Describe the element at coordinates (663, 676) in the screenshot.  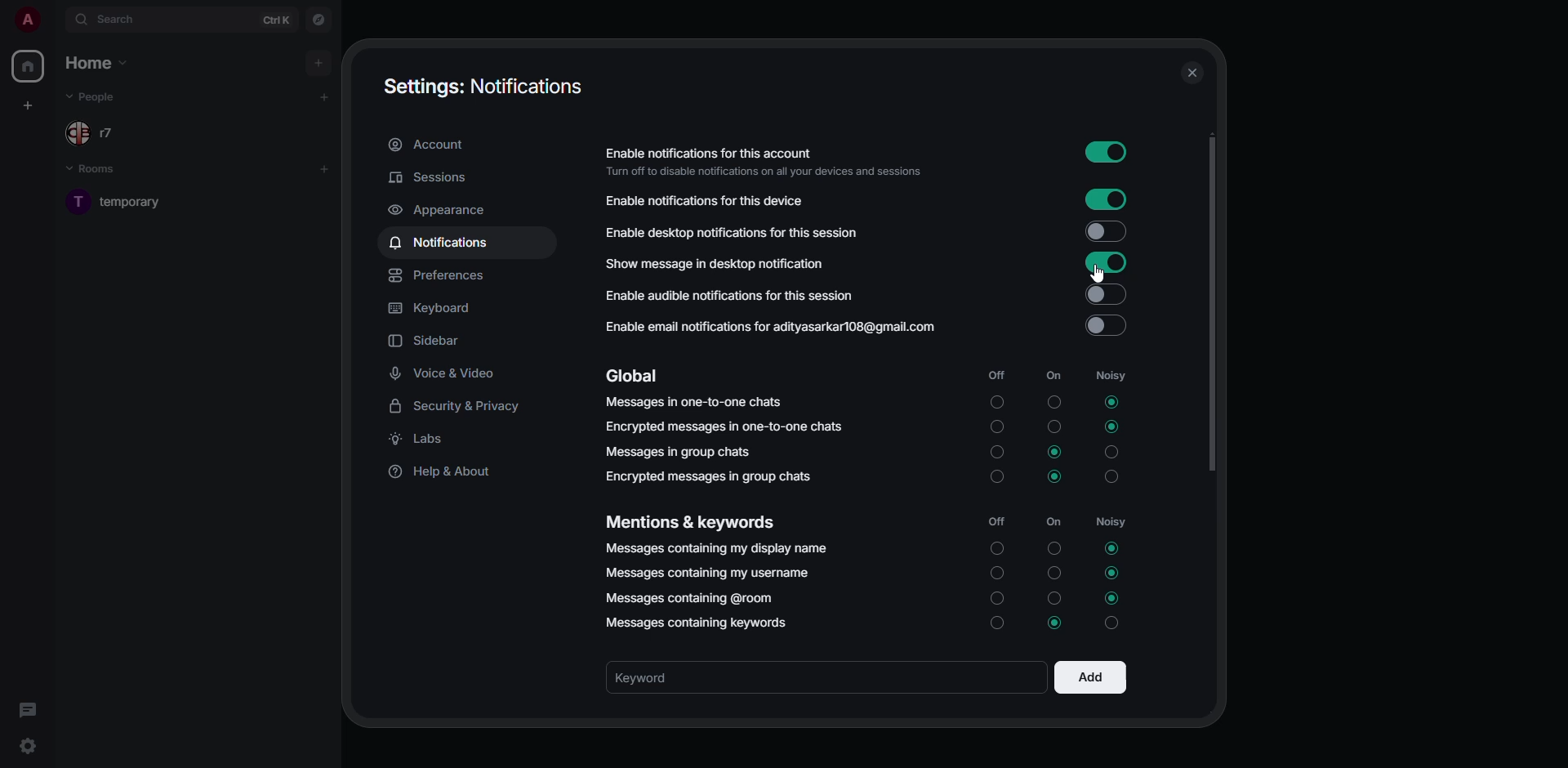
I see `keyword` at that location.